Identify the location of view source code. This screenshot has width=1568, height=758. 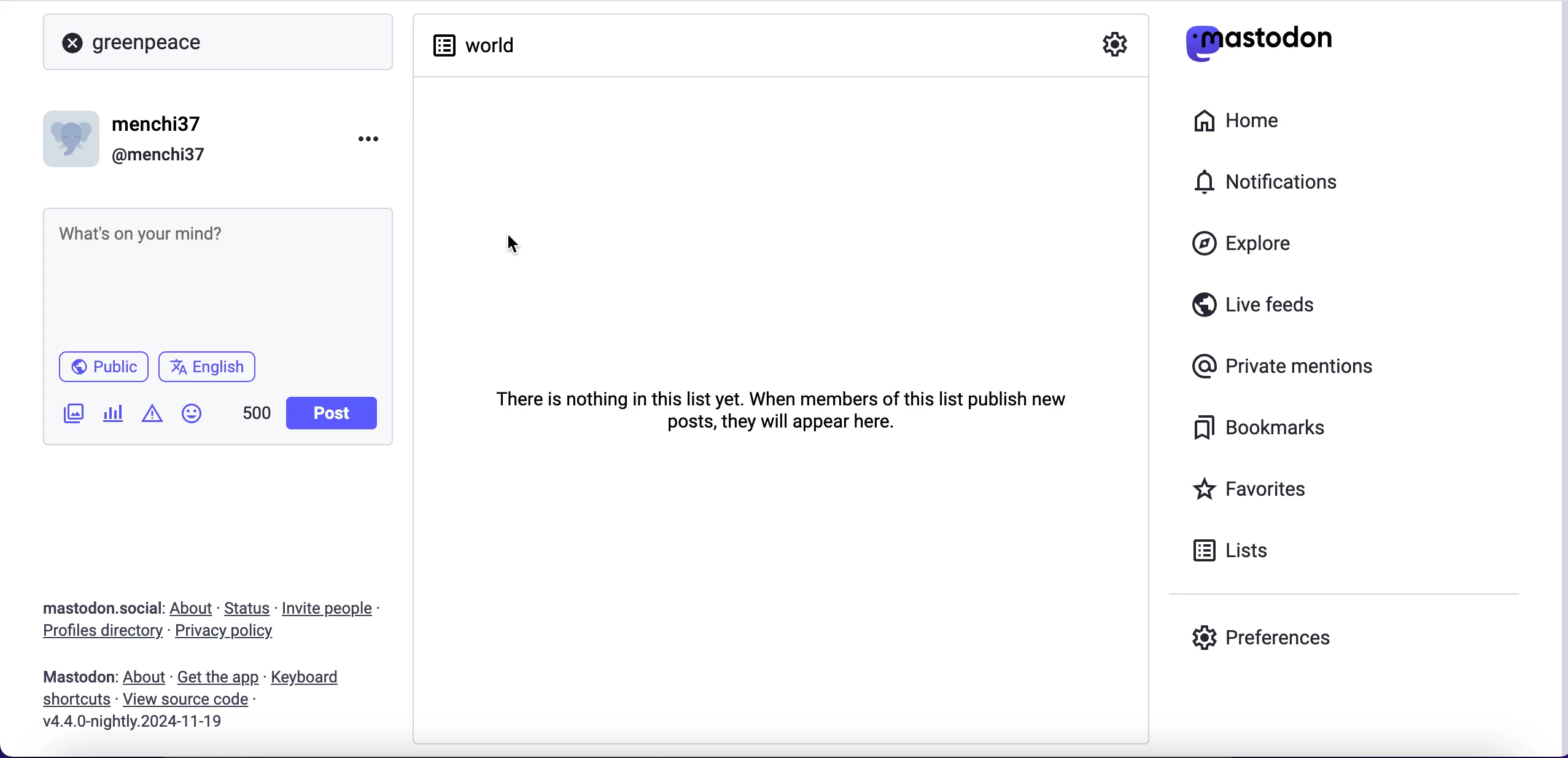
(190, 700).